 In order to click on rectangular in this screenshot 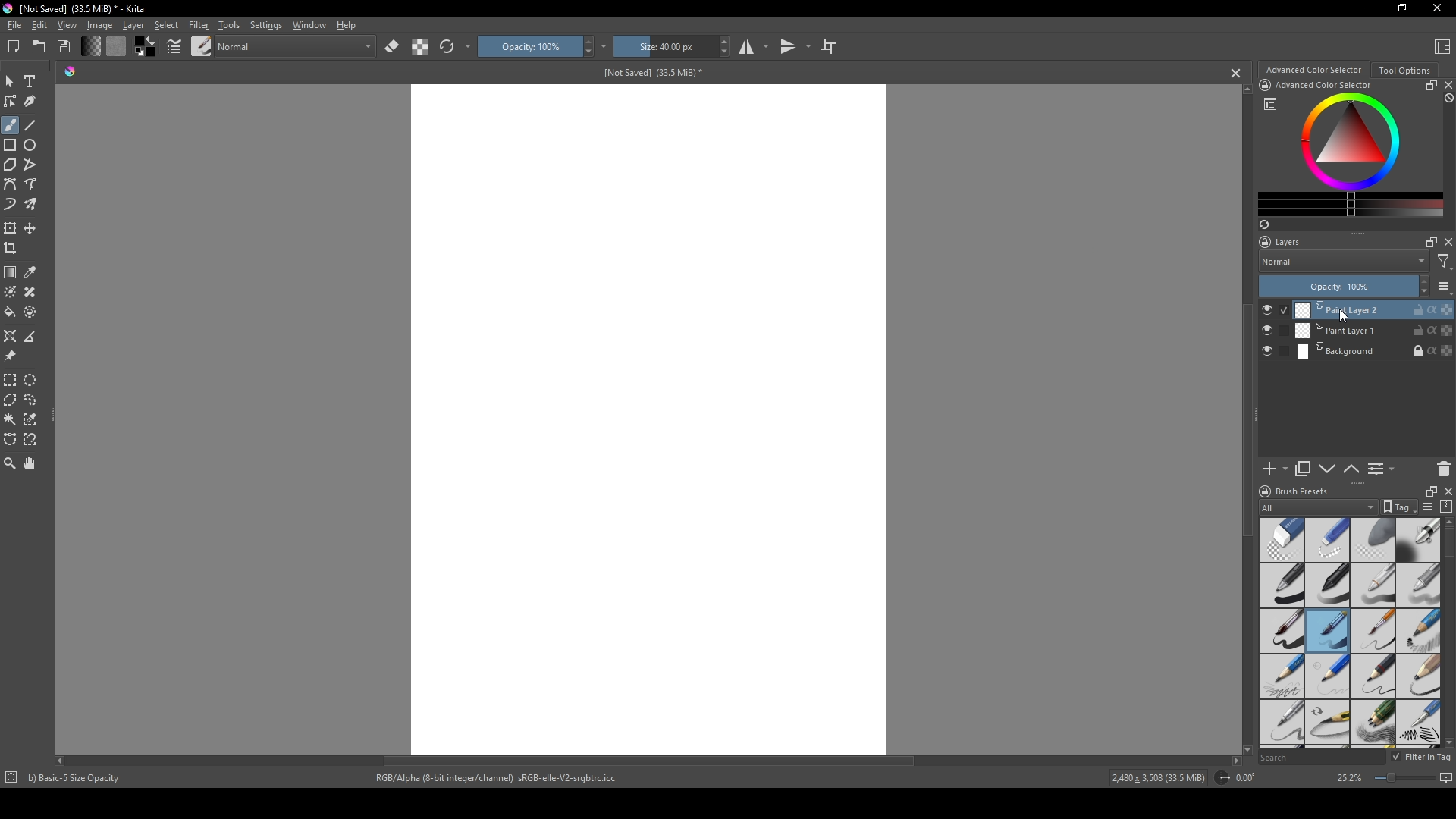, I will do `click(11, 379)`.